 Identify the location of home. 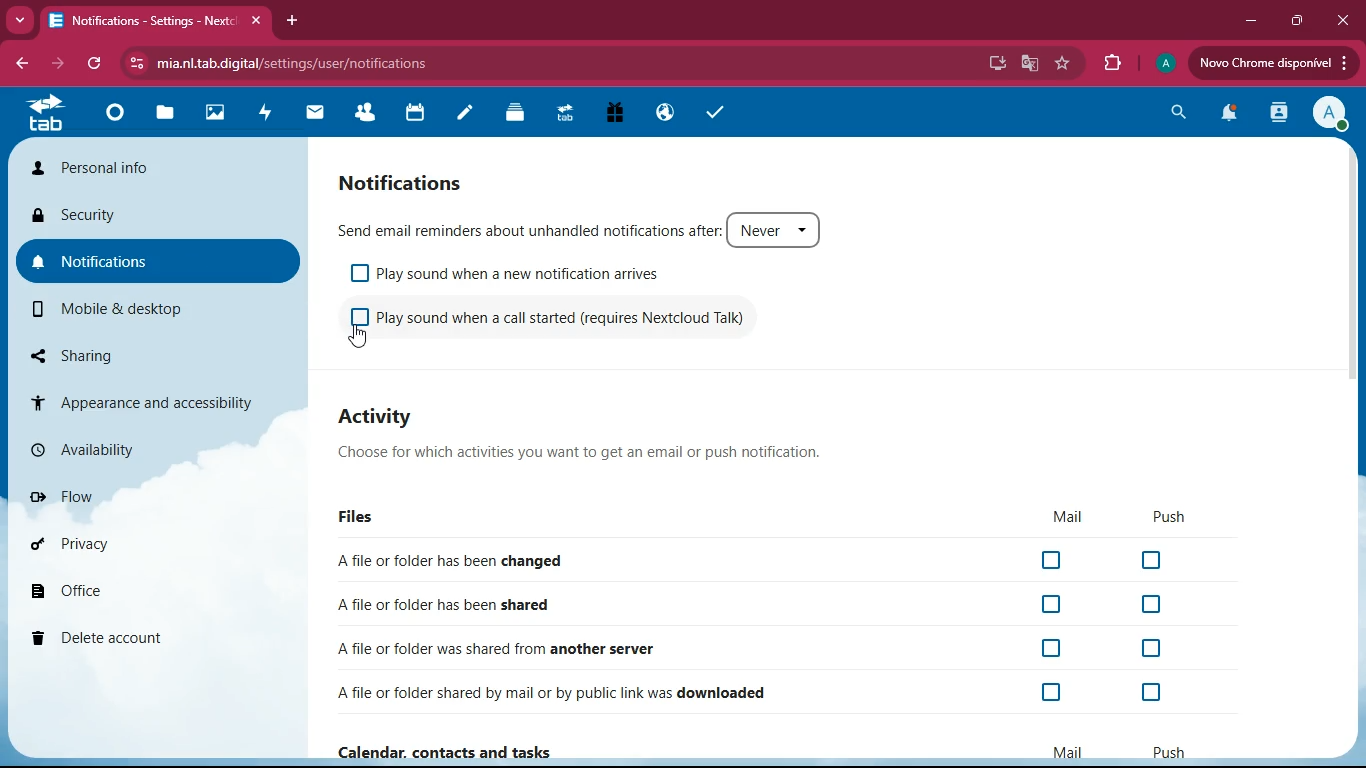
(113, 120).